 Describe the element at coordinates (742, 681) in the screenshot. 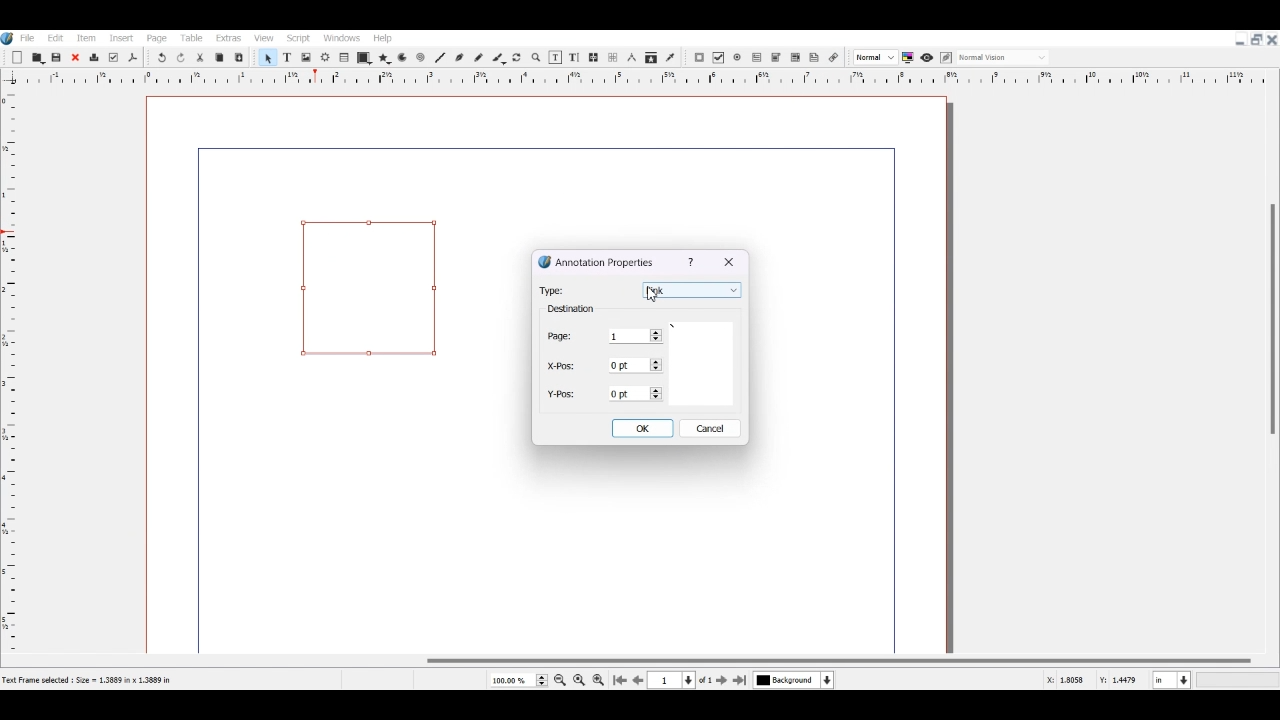

I see `Go to Last Page` at that location.